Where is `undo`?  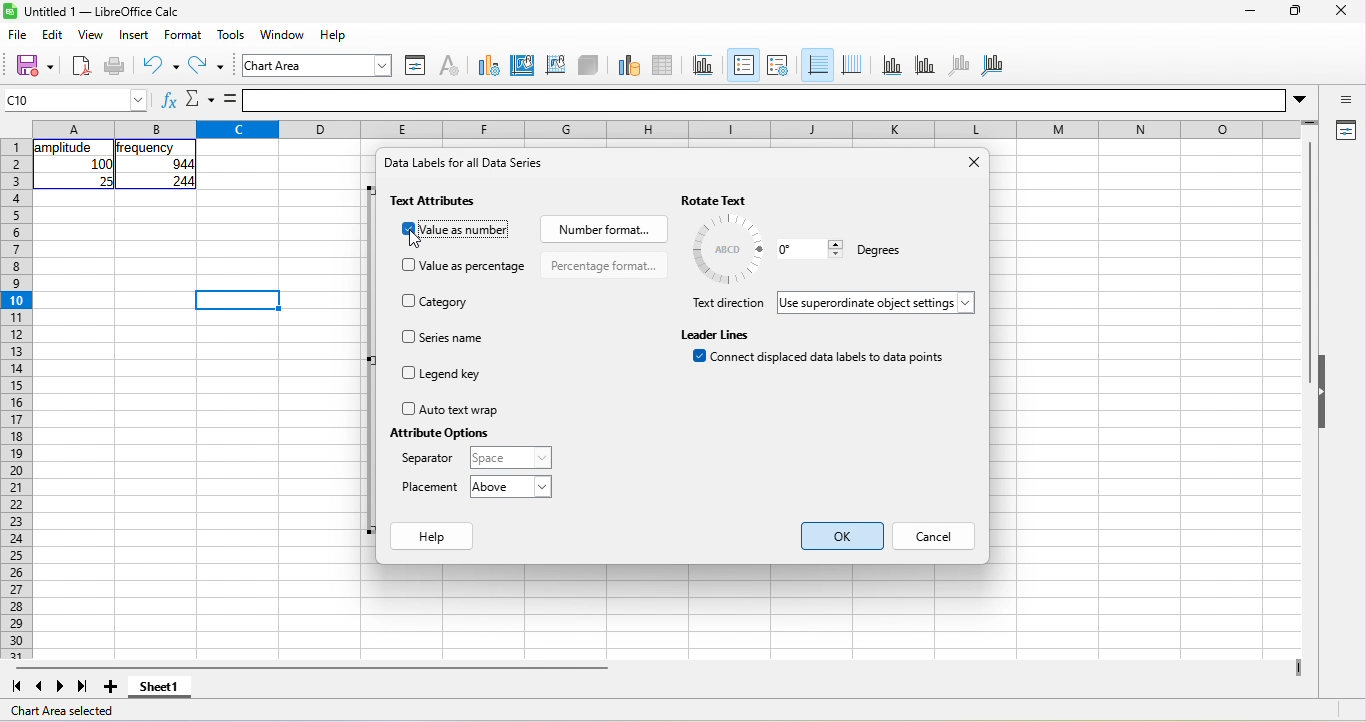 undo is located at coordinates (160, 65).